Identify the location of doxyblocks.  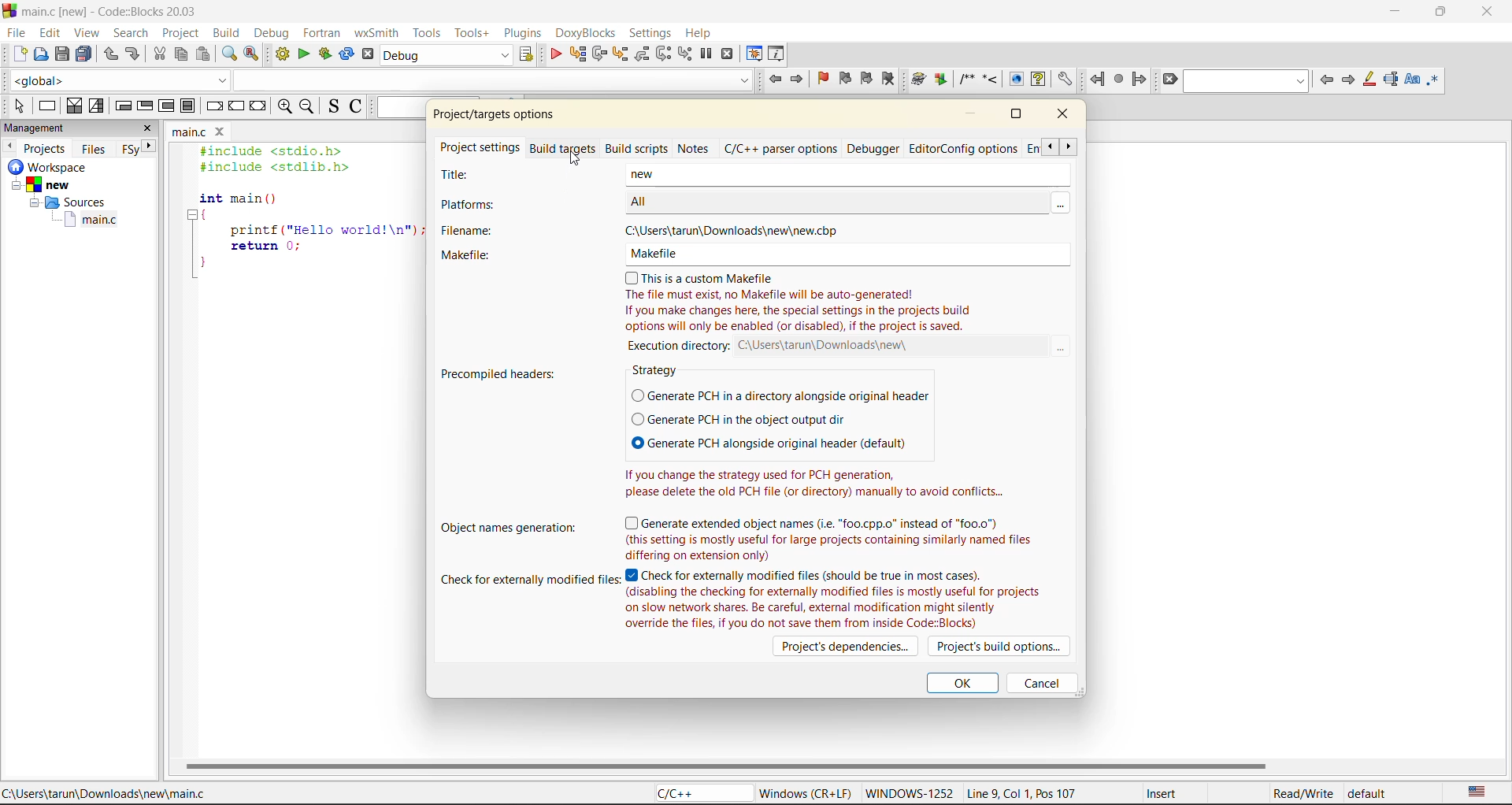
(584, 33).